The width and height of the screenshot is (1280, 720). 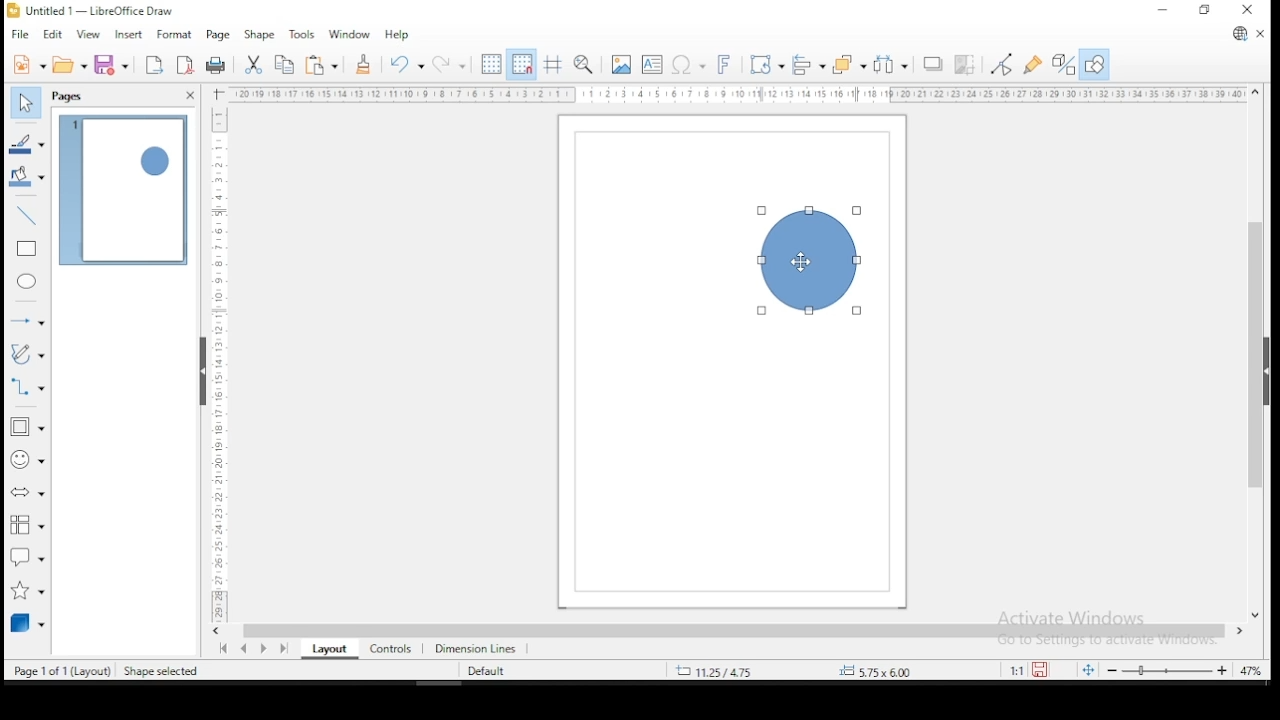 What do you see at coordinates (28, 281) in the screenshot?
I see `ellipse` at bounding box center [28, 281].